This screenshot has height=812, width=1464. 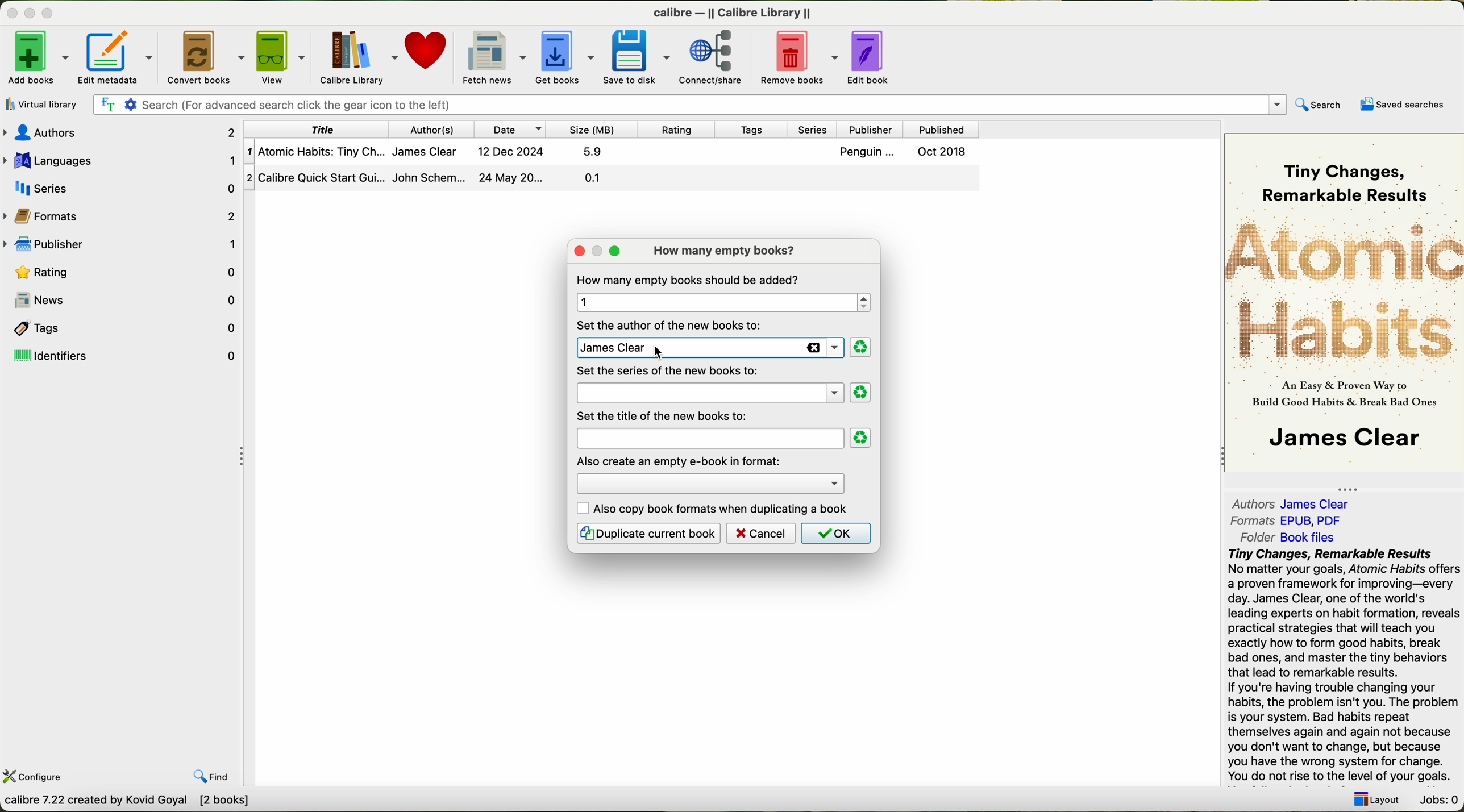 I want to click on title, so click(x=708, y=438).